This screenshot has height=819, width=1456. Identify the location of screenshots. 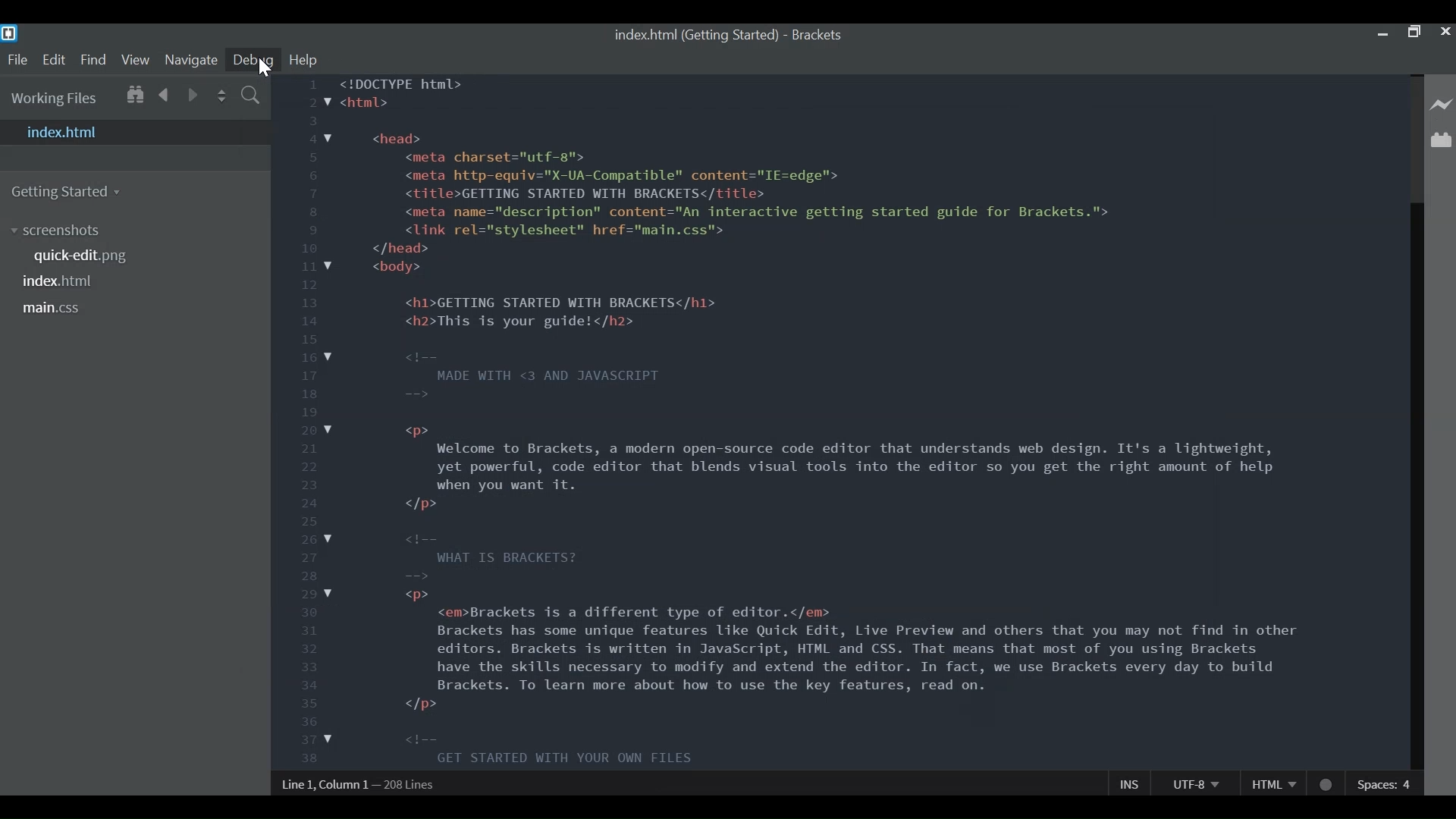
(64, 231).